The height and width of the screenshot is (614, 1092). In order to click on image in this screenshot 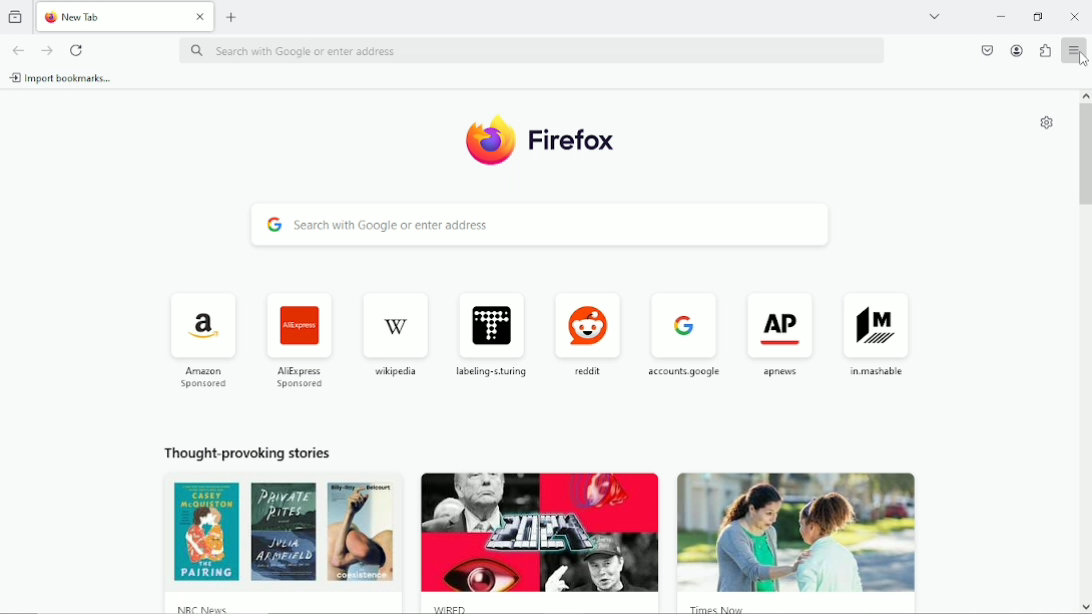, I will do `click(275, 535)`.